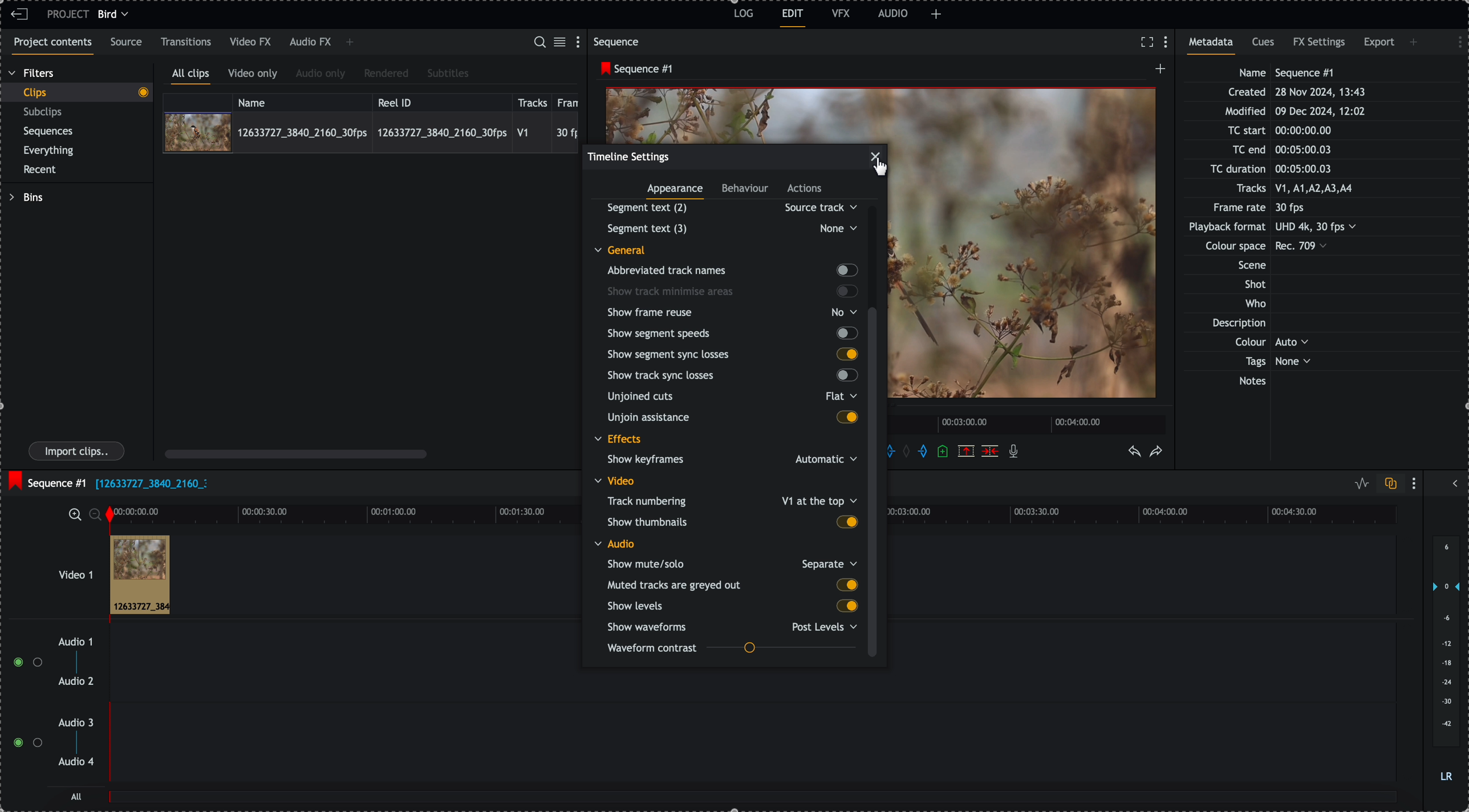 Image resolution: width=1469 pixels, height=812 pixels. I want to click on click on show waveforms options, so click(735, 626).